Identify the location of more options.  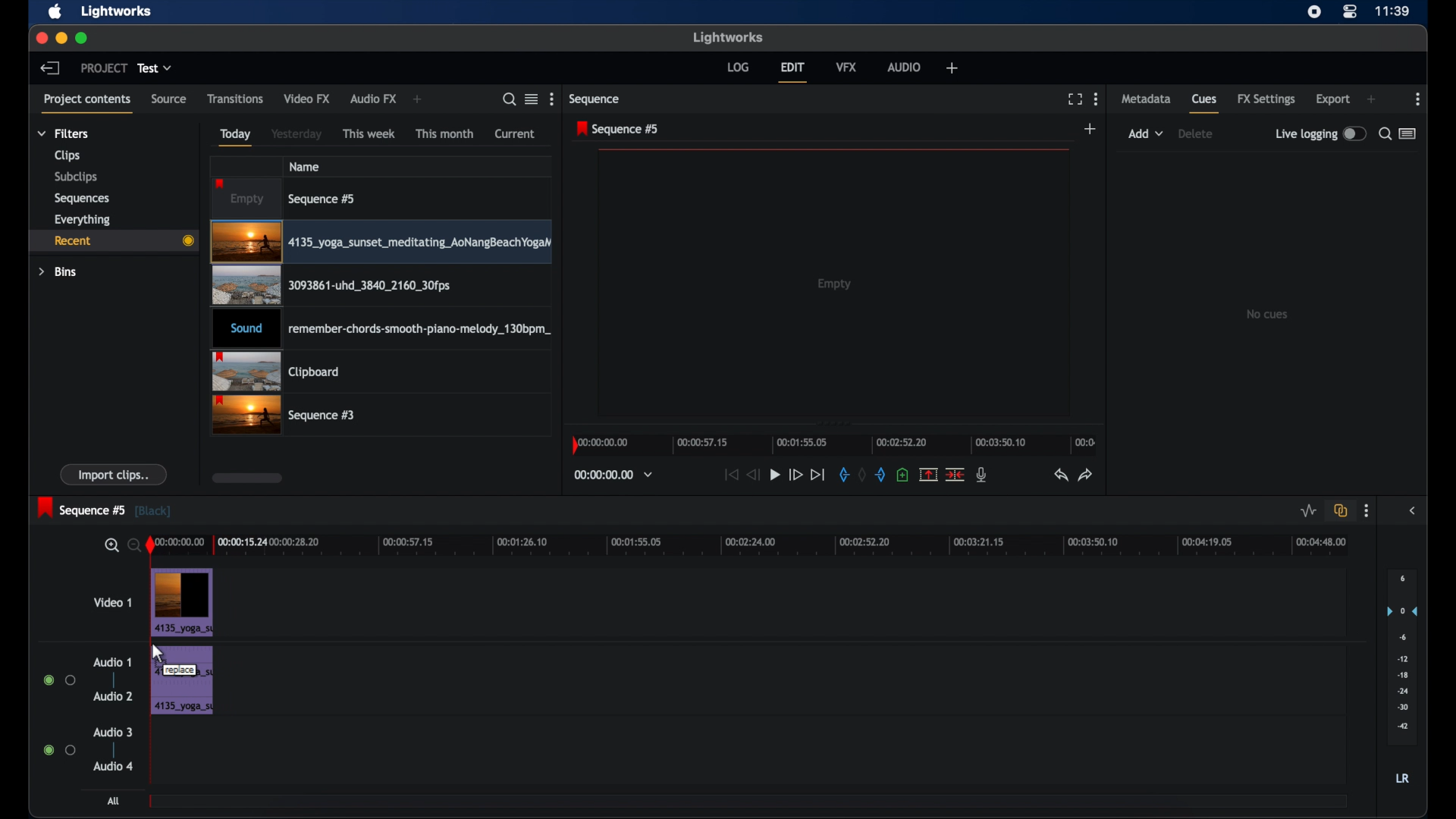
(1096, 99).